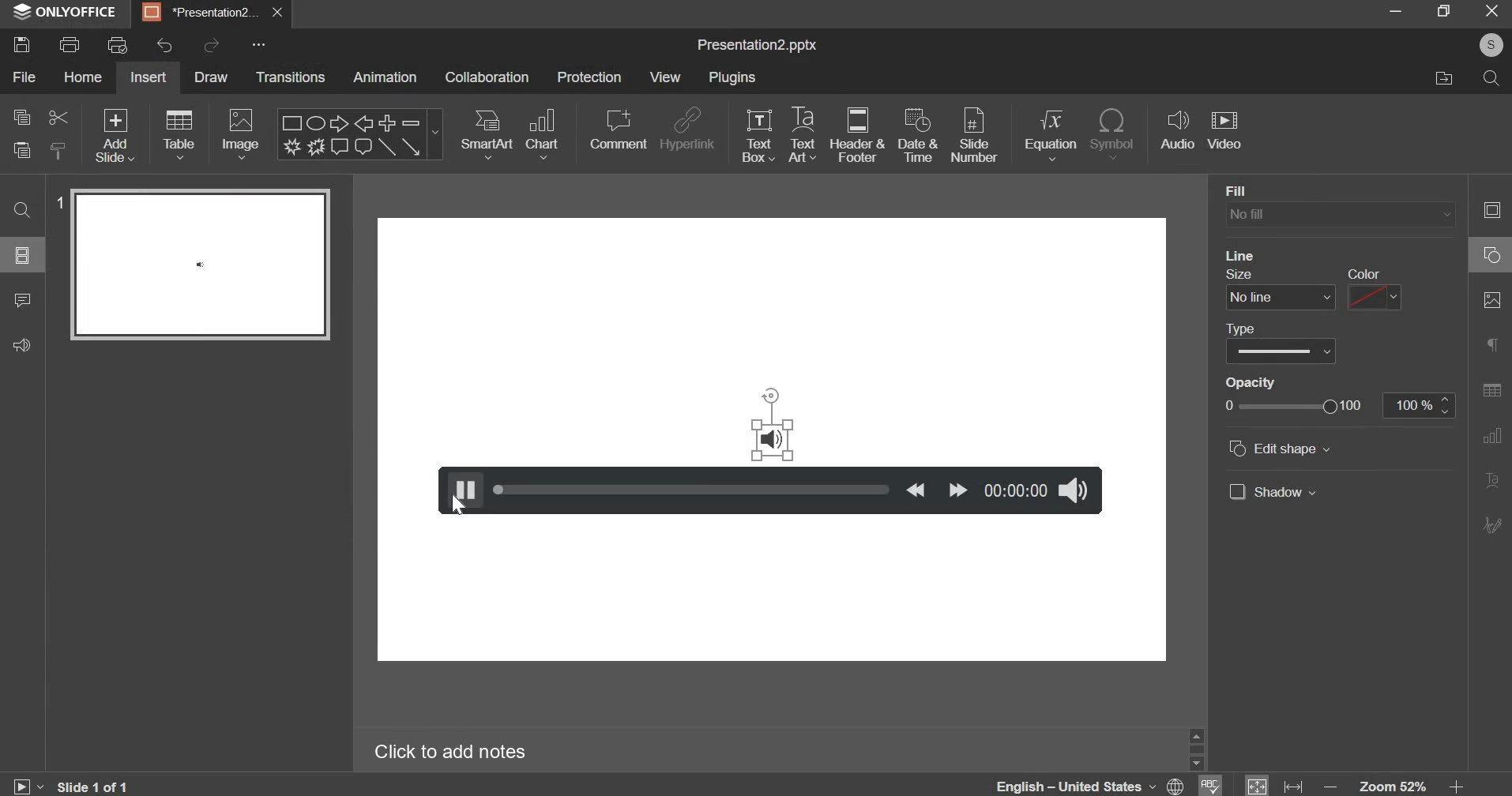 The image size is (1512, 796). I want to click on table settings, so click(1491, 389).